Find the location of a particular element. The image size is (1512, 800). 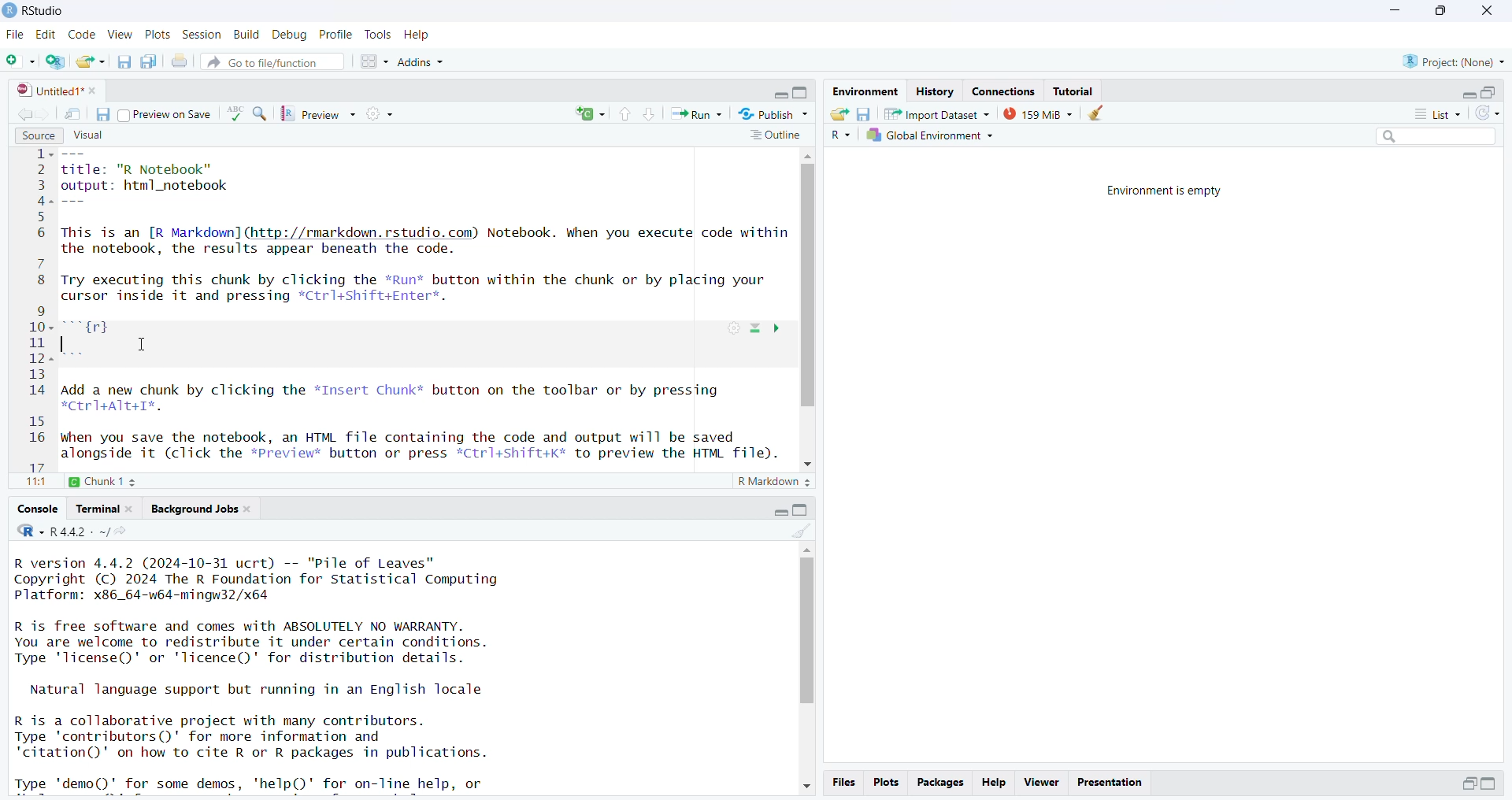

collapse is located at coordinates (802, 509).